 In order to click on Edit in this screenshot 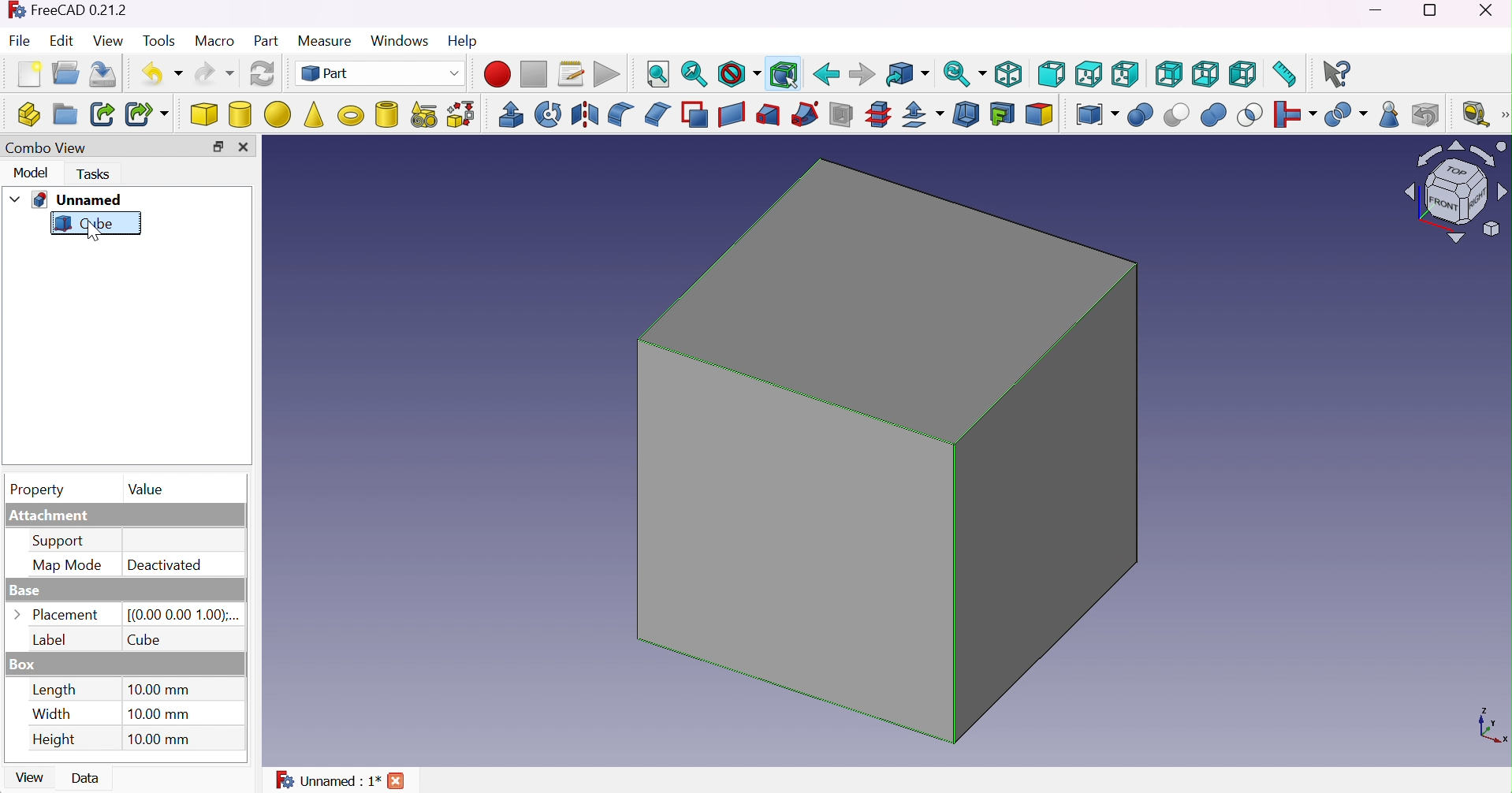, I will do `click(59, 40)`.